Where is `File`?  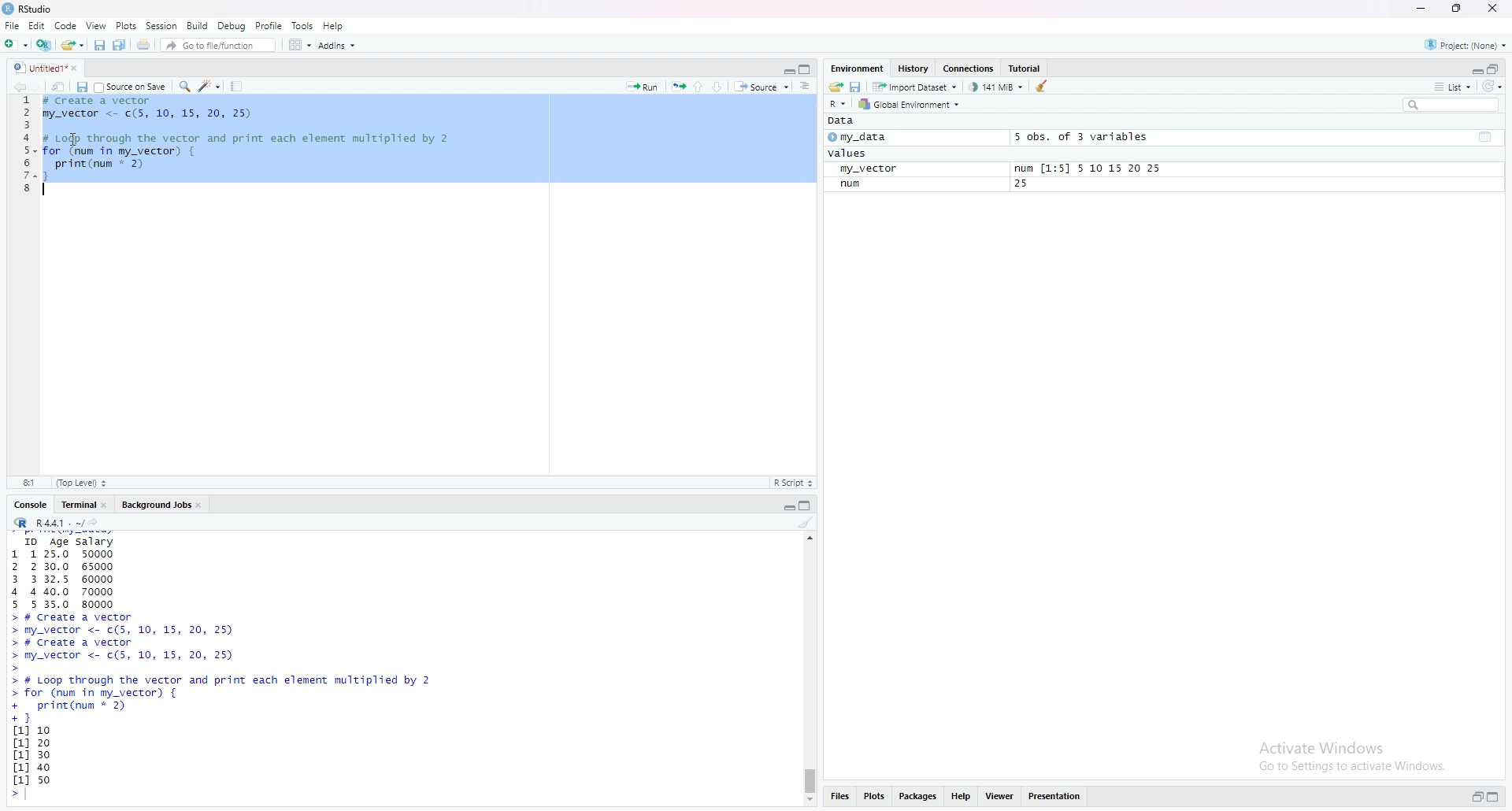
File is located at coordinates (10, 26).